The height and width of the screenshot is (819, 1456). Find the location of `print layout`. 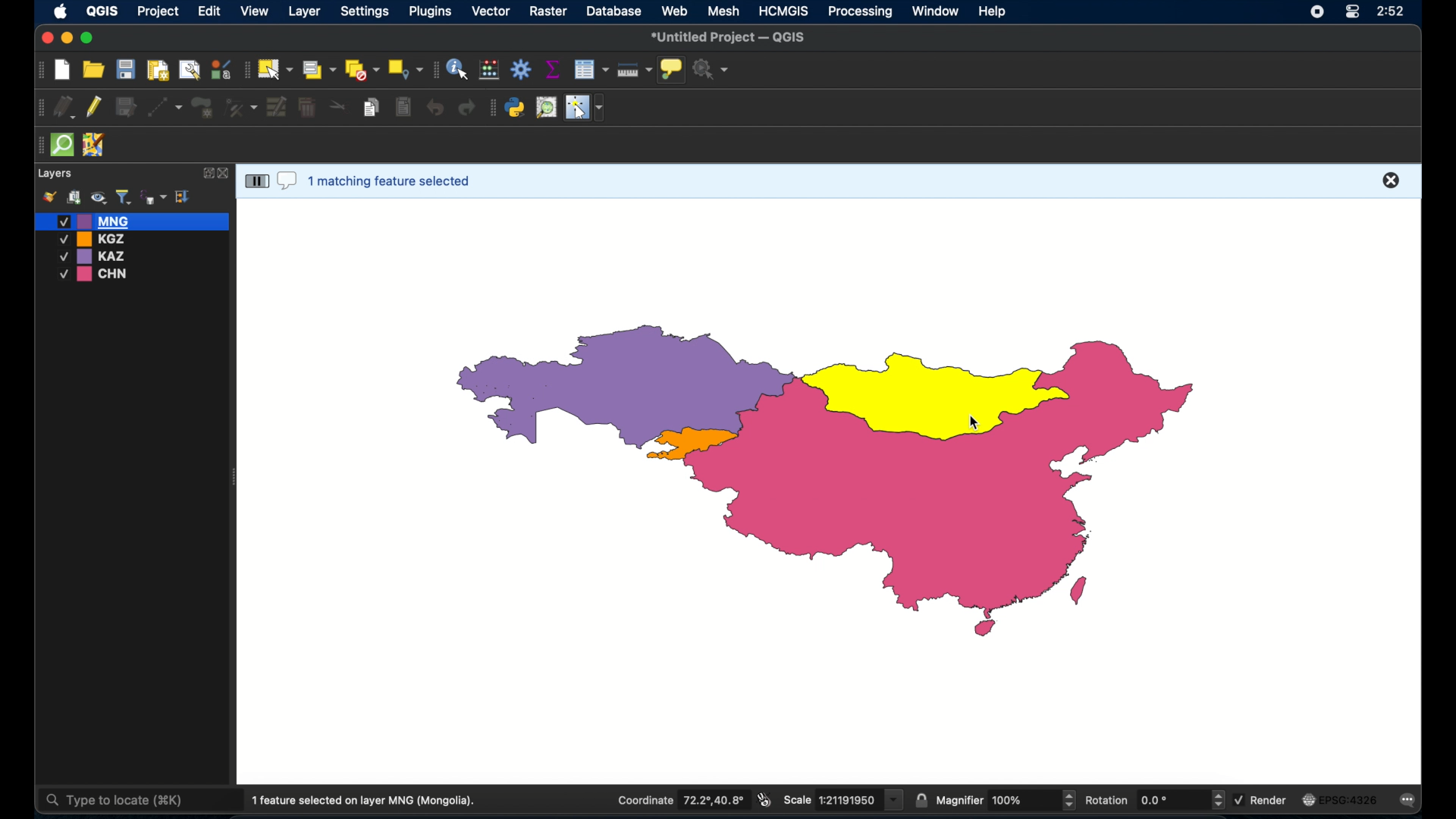

print layout is located at coordinates (157, 69).